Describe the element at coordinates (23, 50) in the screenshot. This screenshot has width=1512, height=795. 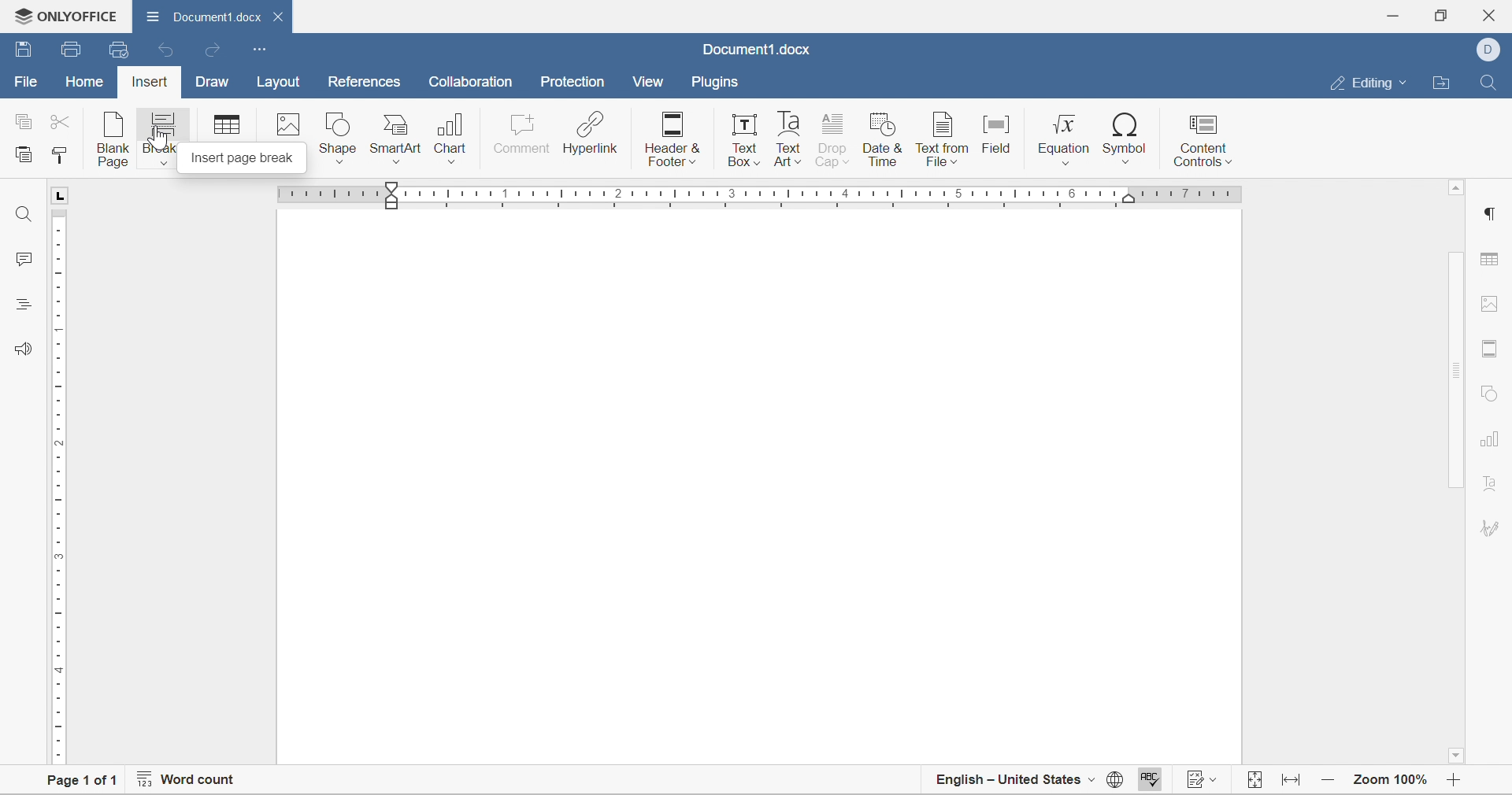
I see `Save` at that location.